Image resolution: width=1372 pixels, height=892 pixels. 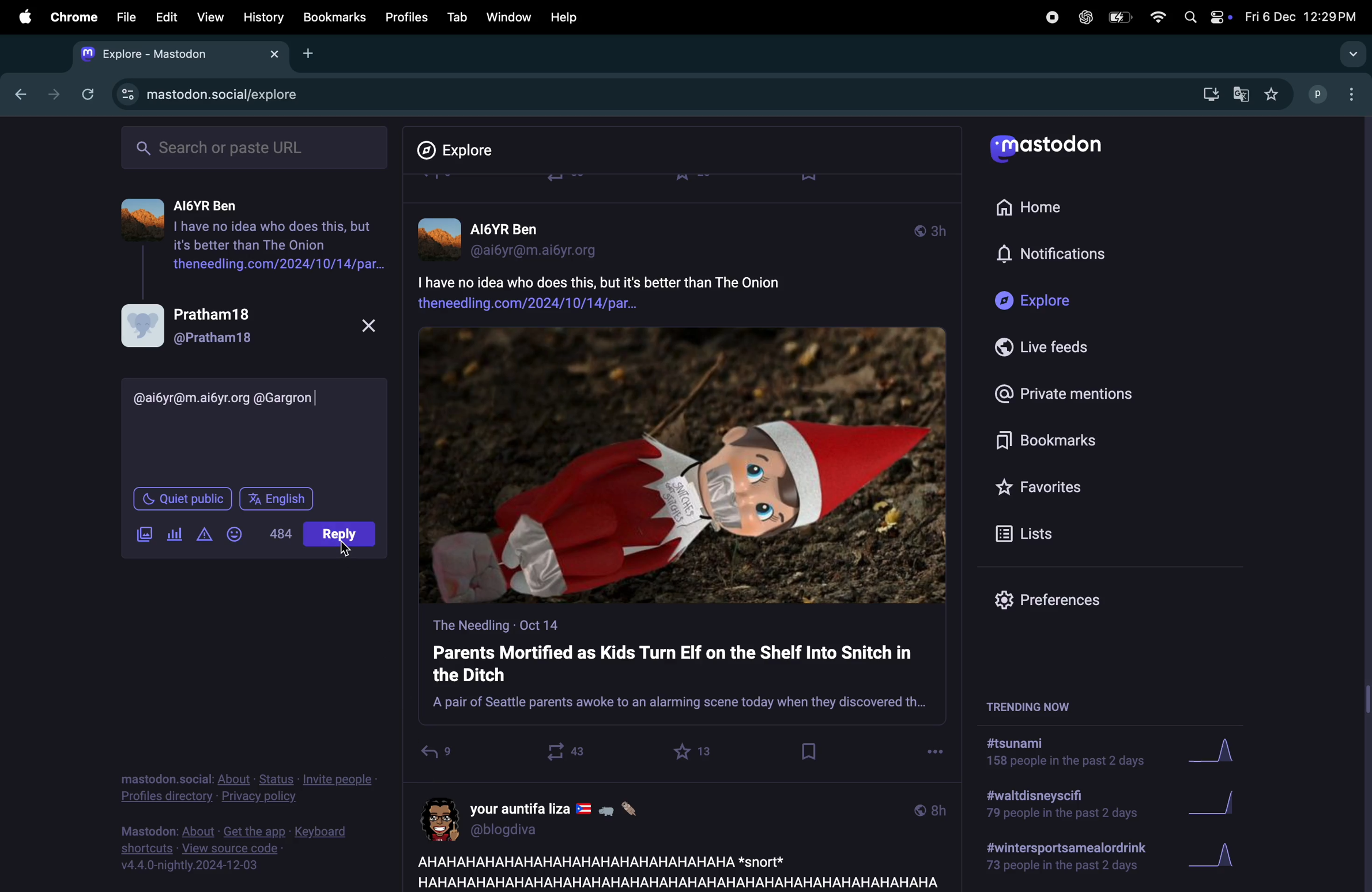 What do you see at coordinates (176, 532) in the screenshot?
I see `poll` at bounding box center [176, 532].